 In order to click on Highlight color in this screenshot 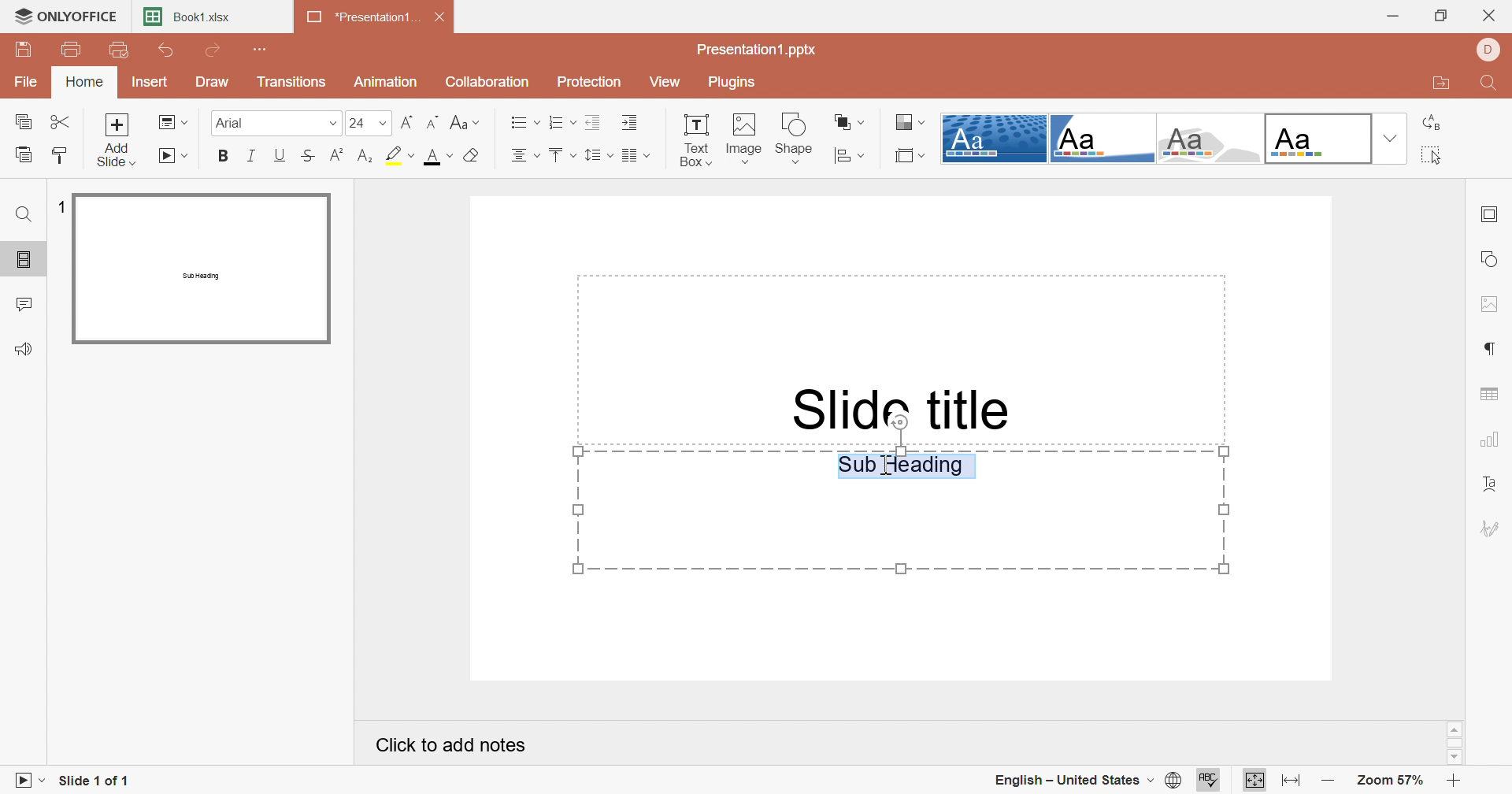, I will do `click(399, 155)`.